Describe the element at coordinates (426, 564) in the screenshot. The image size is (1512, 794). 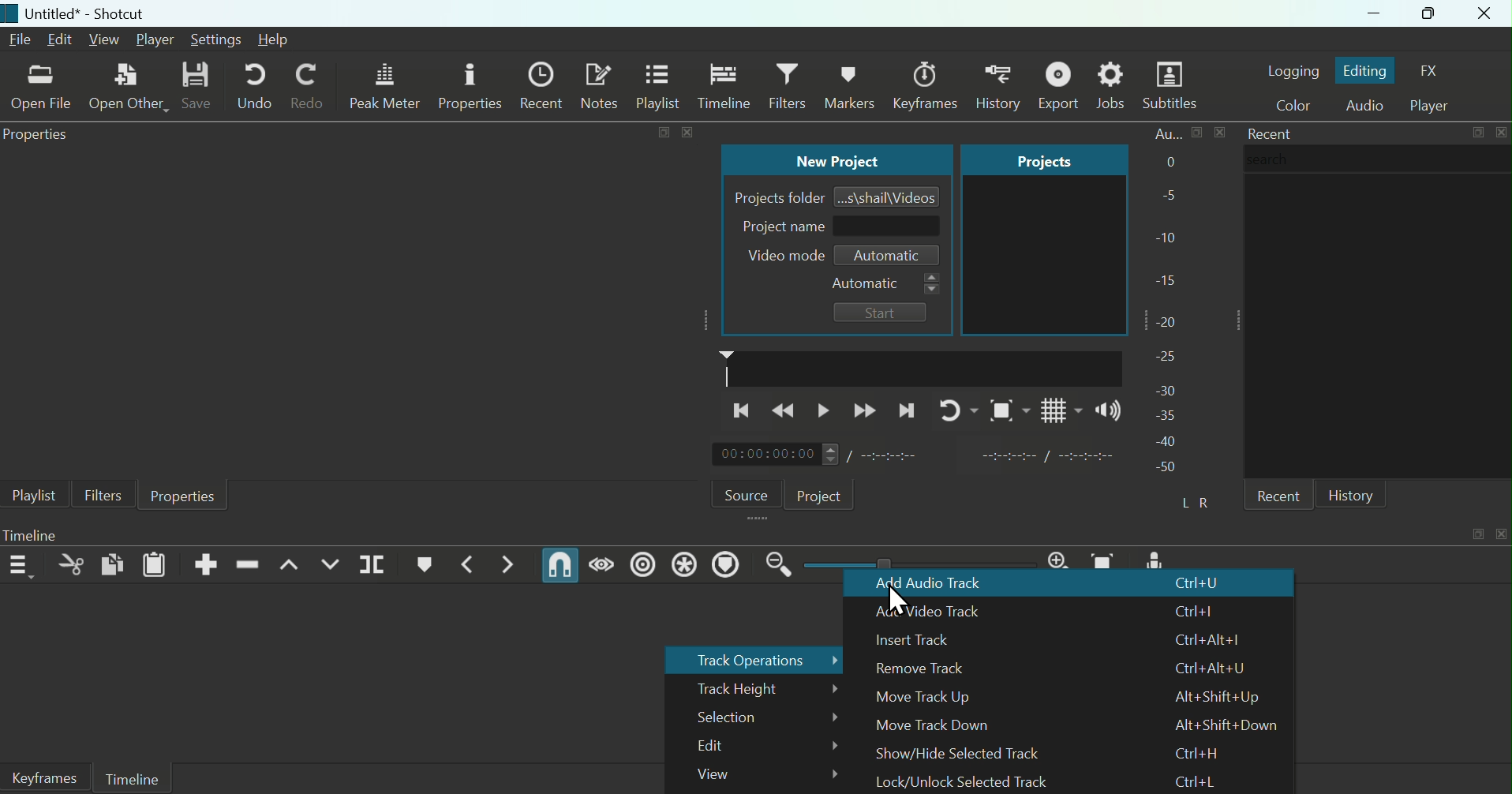
I see `Create/Edit Marker` at that location.